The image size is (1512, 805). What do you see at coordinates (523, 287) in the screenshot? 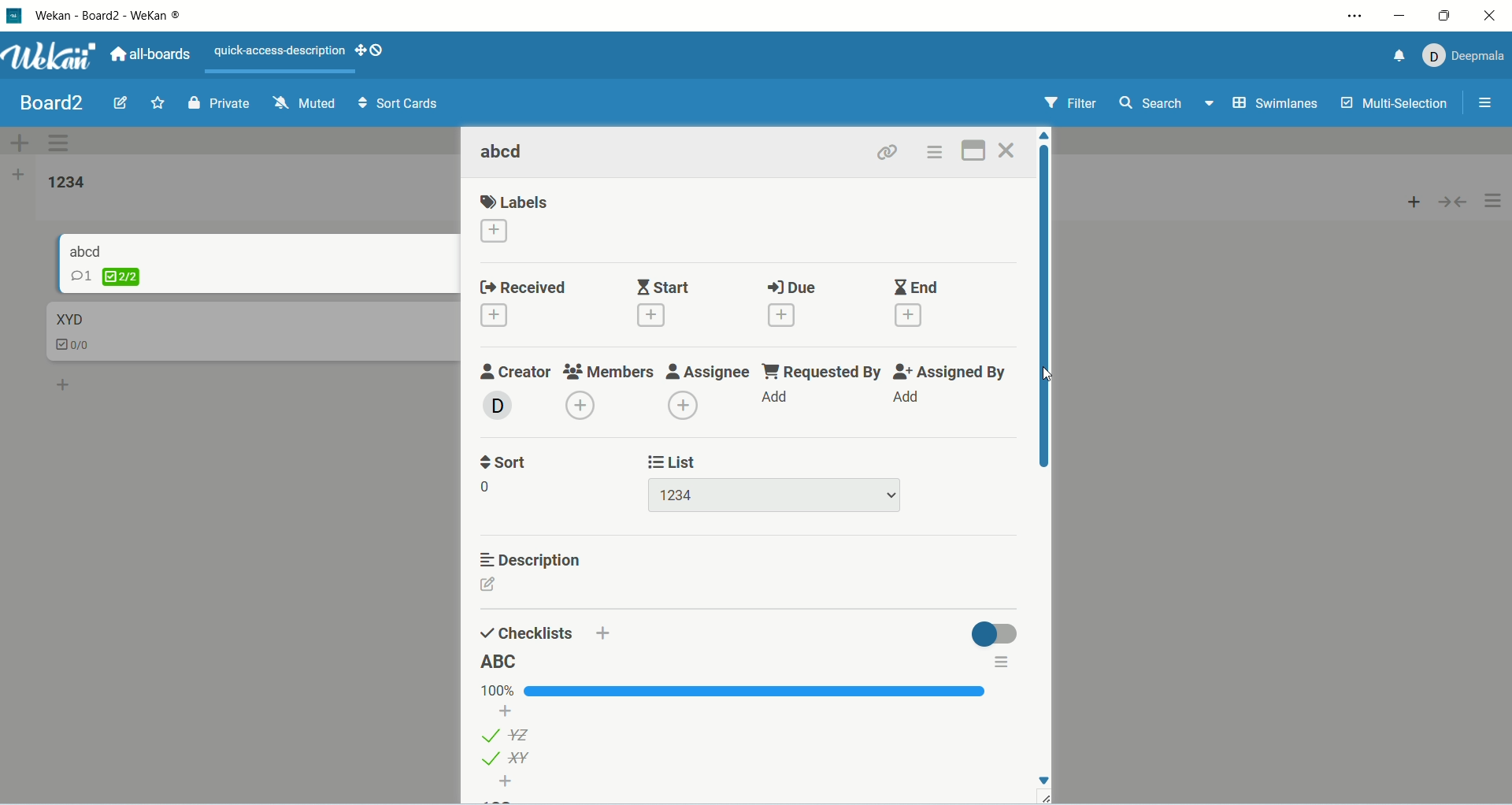
I see `received` at bounding box center [523, 287].